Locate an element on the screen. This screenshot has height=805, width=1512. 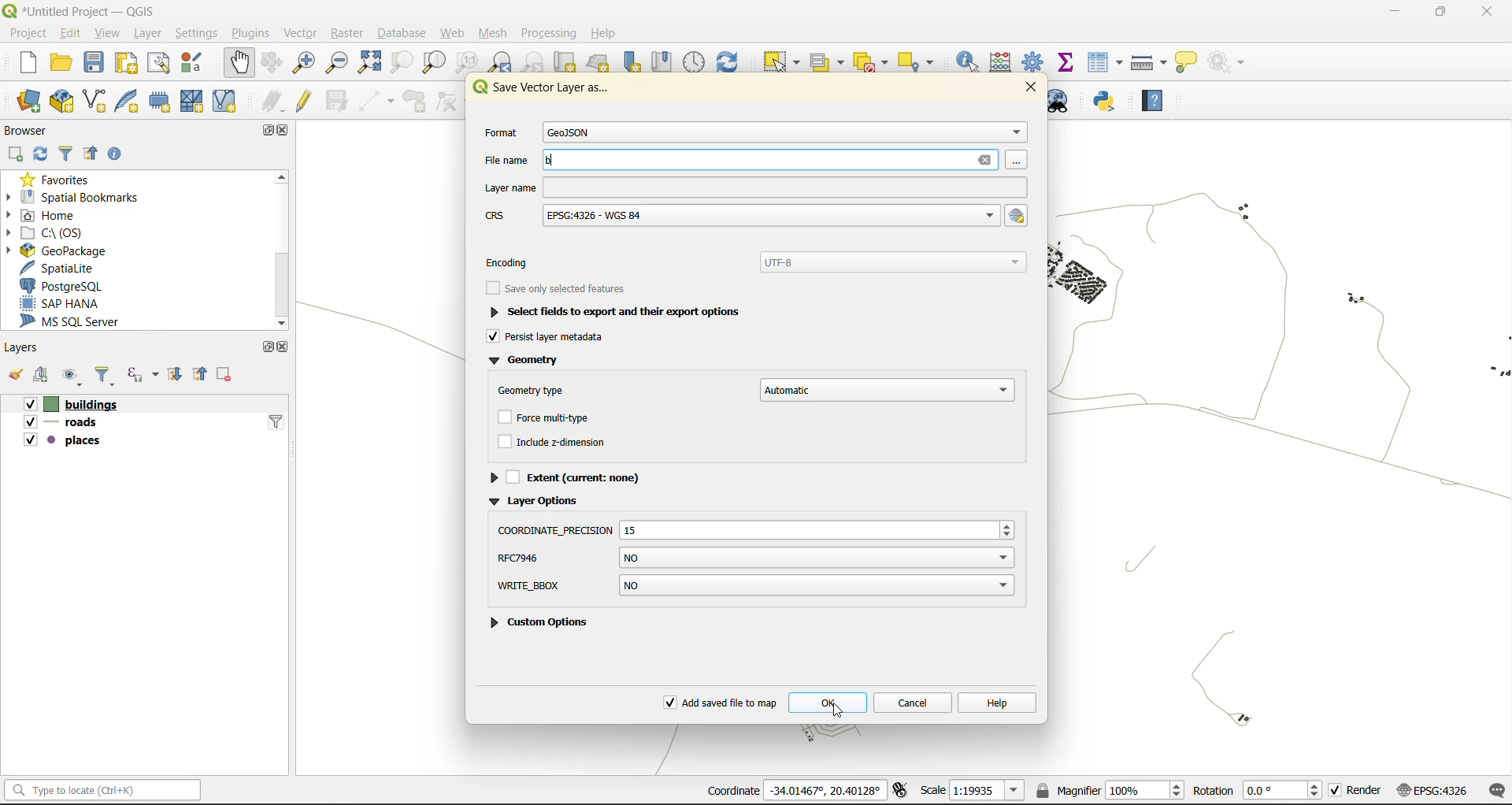
shpt is located at coordinates (754, 558).